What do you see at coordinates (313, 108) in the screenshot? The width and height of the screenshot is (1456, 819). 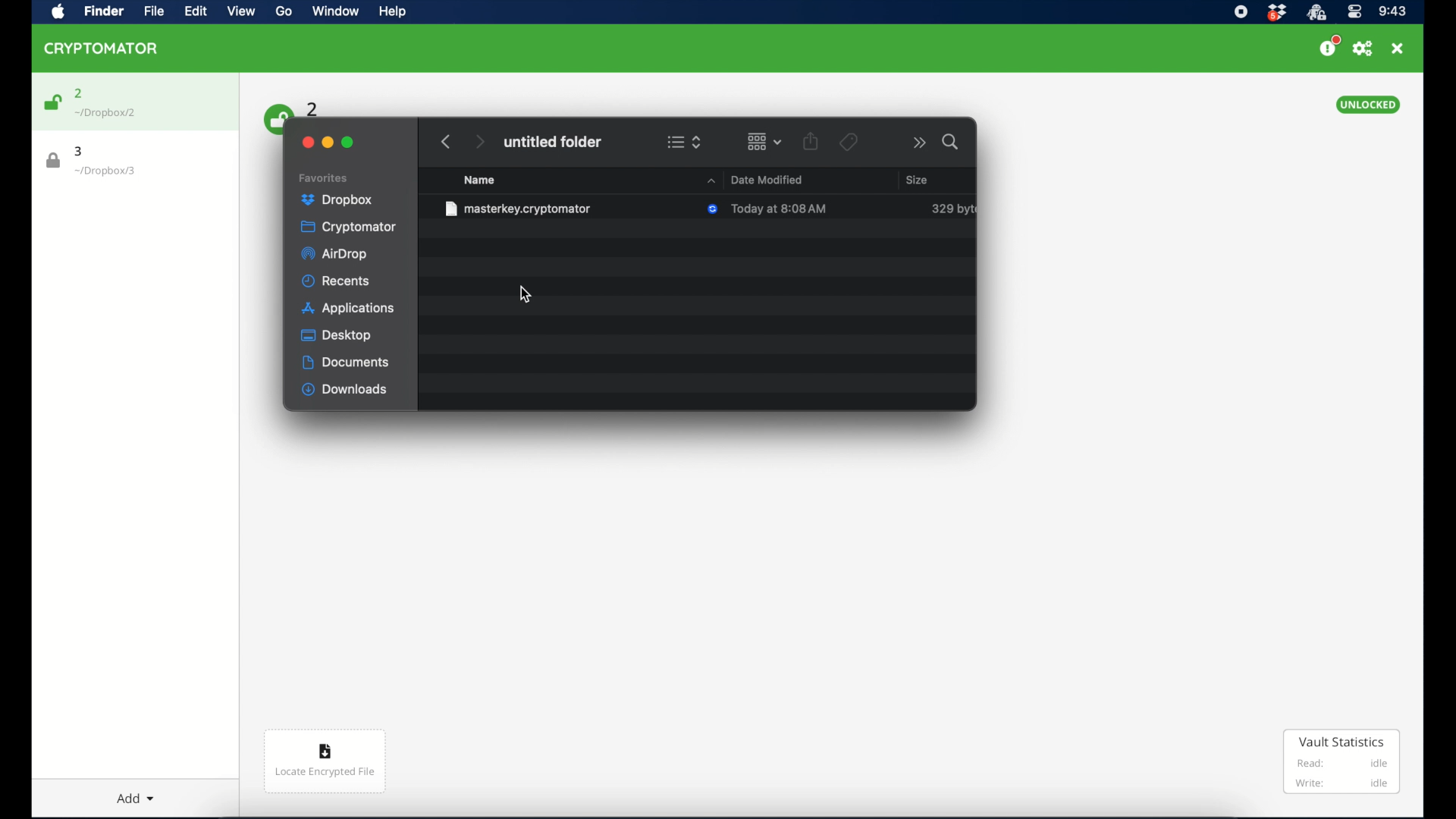 I see `2` at bounding box center [313, 108].